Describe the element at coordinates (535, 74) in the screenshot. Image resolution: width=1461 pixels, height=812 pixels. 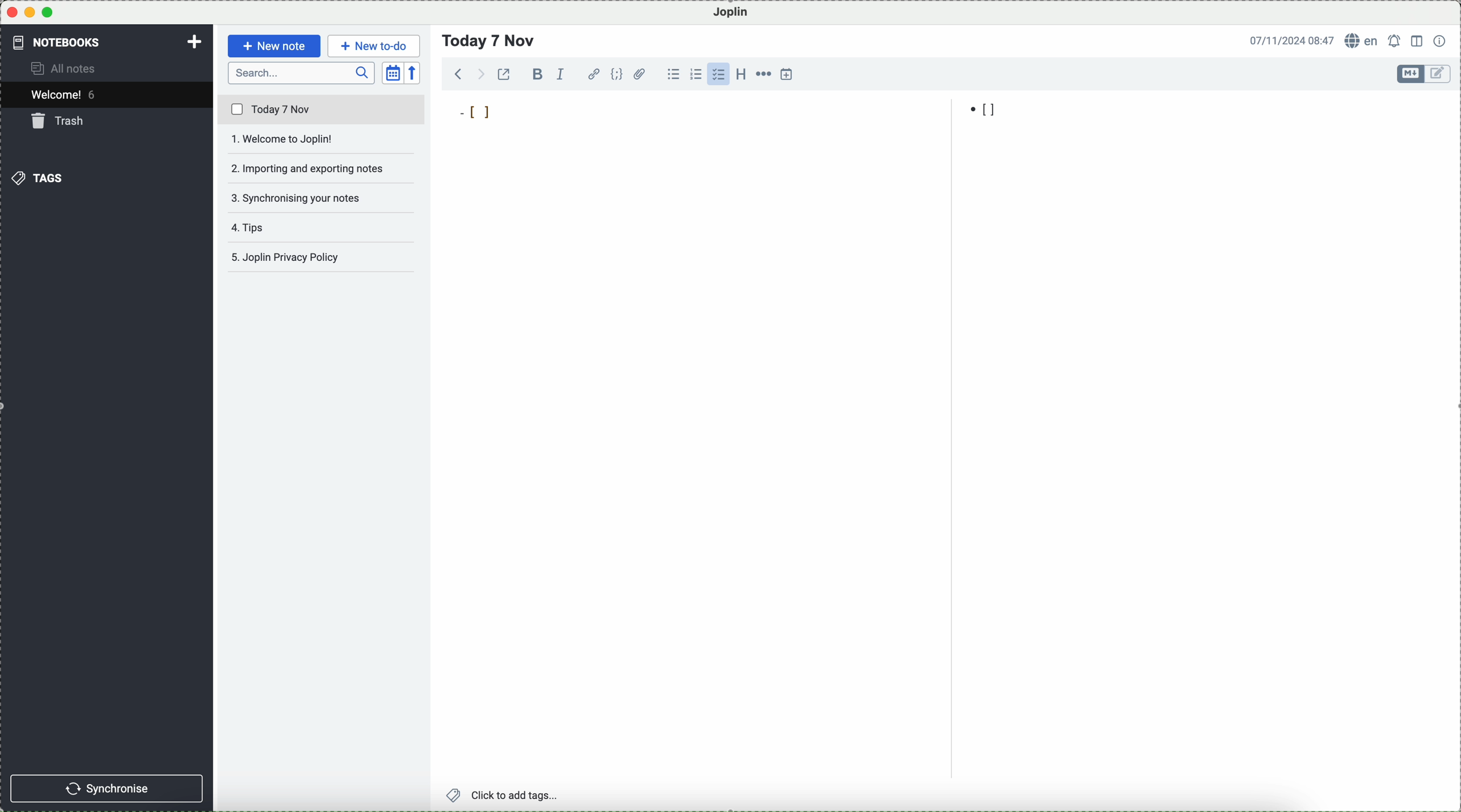
I see `bold` at that location.